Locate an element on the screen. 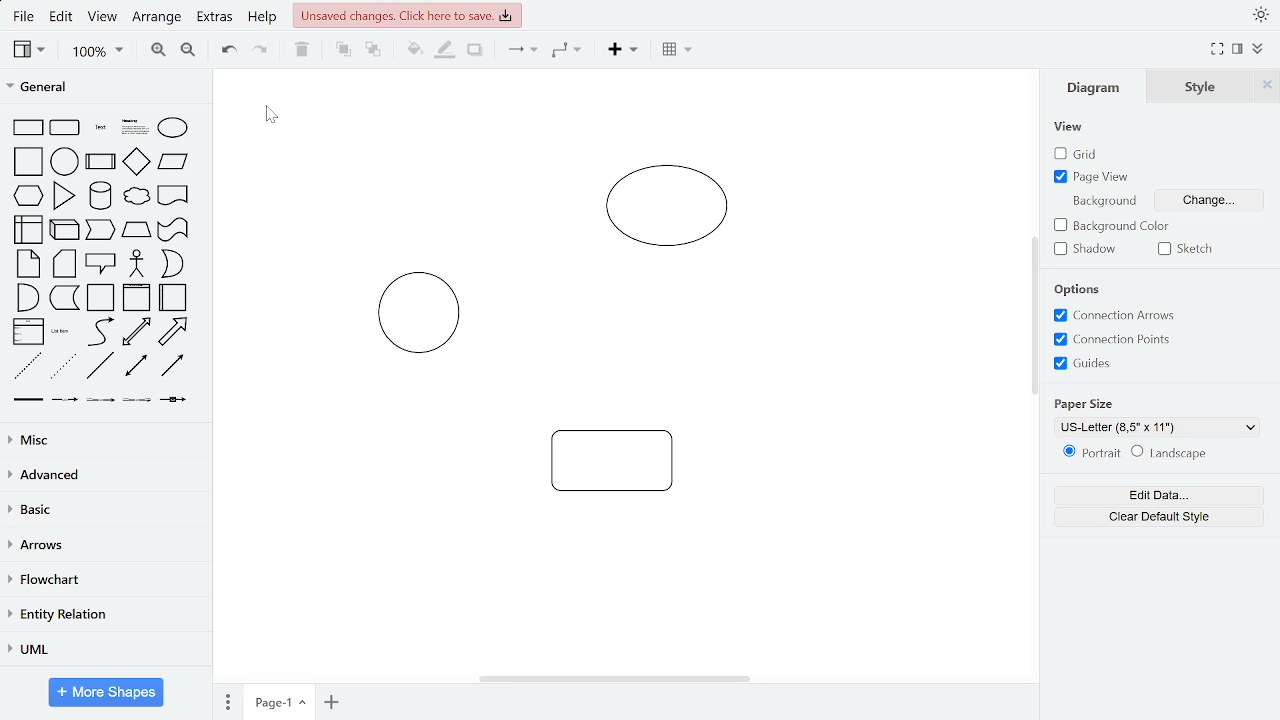  MOUSE_DOWN Cursor is located at coordinates (270, 113).